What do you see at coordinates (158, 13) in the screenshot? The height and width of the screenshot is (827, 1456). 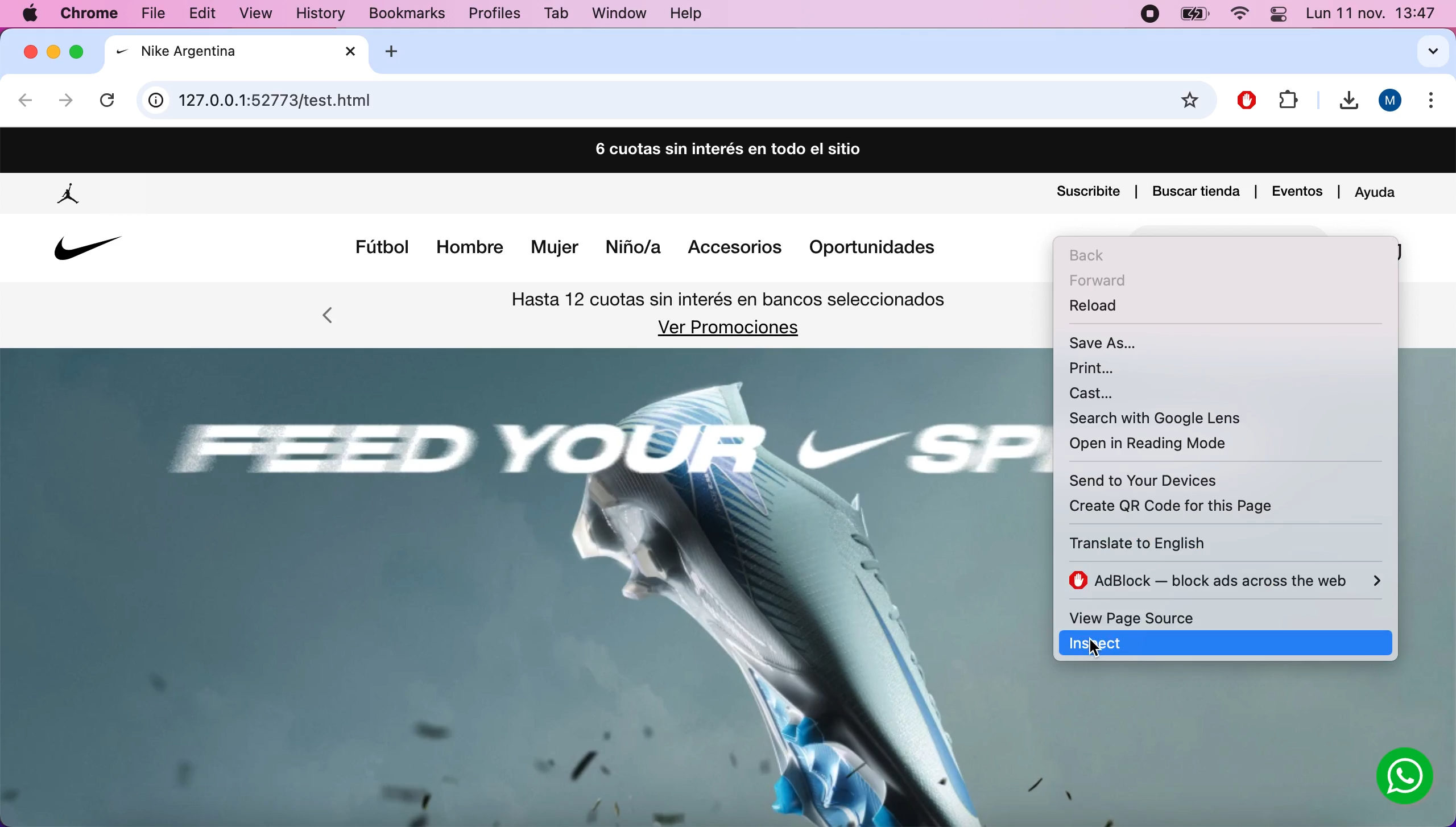 I see `file` at bounding box center [158, 13].